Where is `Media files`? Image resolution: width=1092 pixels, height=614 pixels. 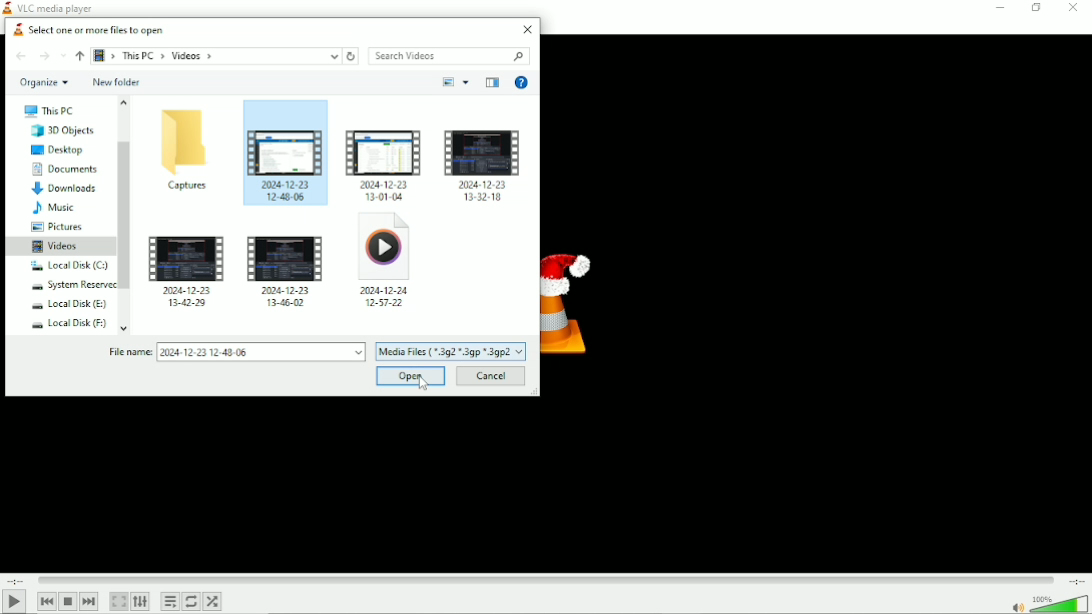 Media files is located at coordinates (451, 352).